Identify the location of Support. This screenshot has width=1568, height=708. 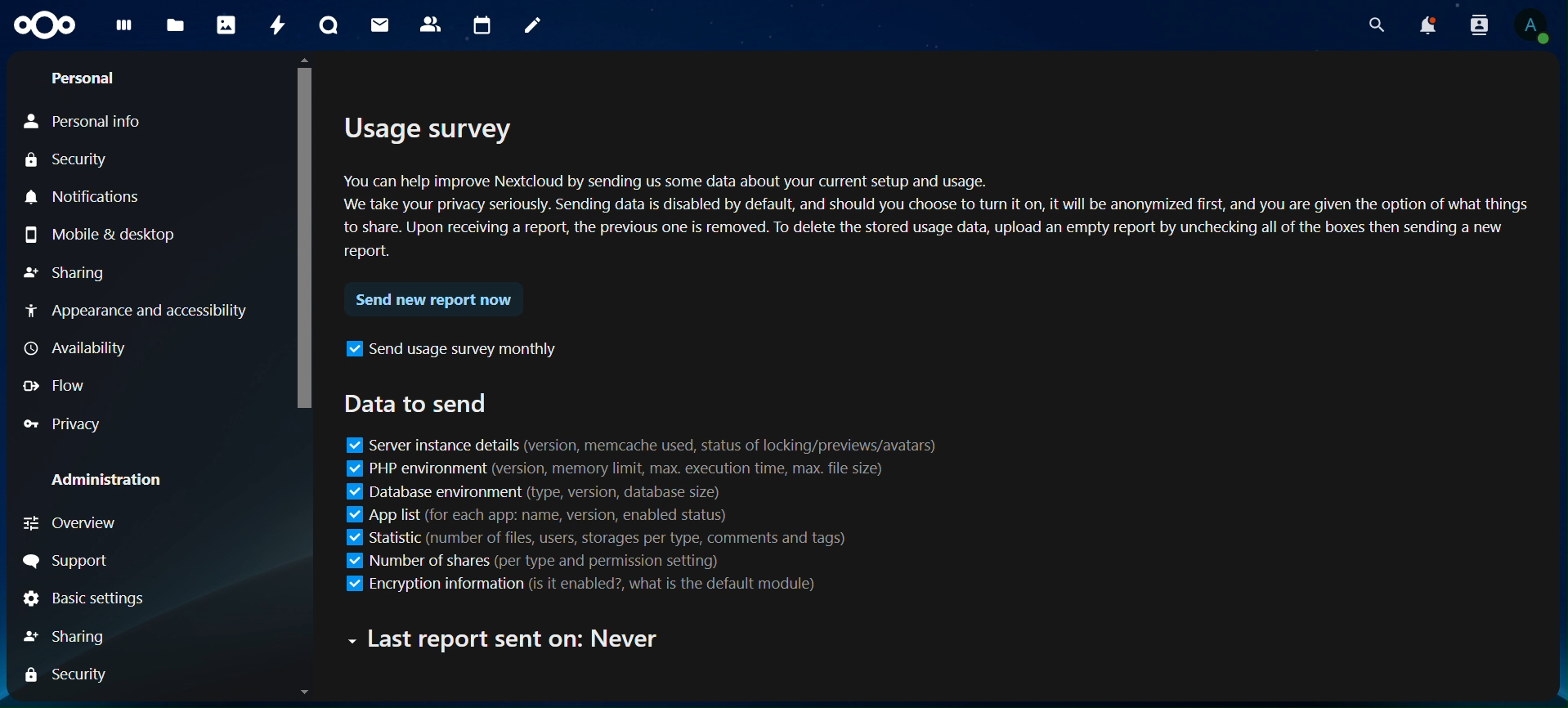
(68, 562).